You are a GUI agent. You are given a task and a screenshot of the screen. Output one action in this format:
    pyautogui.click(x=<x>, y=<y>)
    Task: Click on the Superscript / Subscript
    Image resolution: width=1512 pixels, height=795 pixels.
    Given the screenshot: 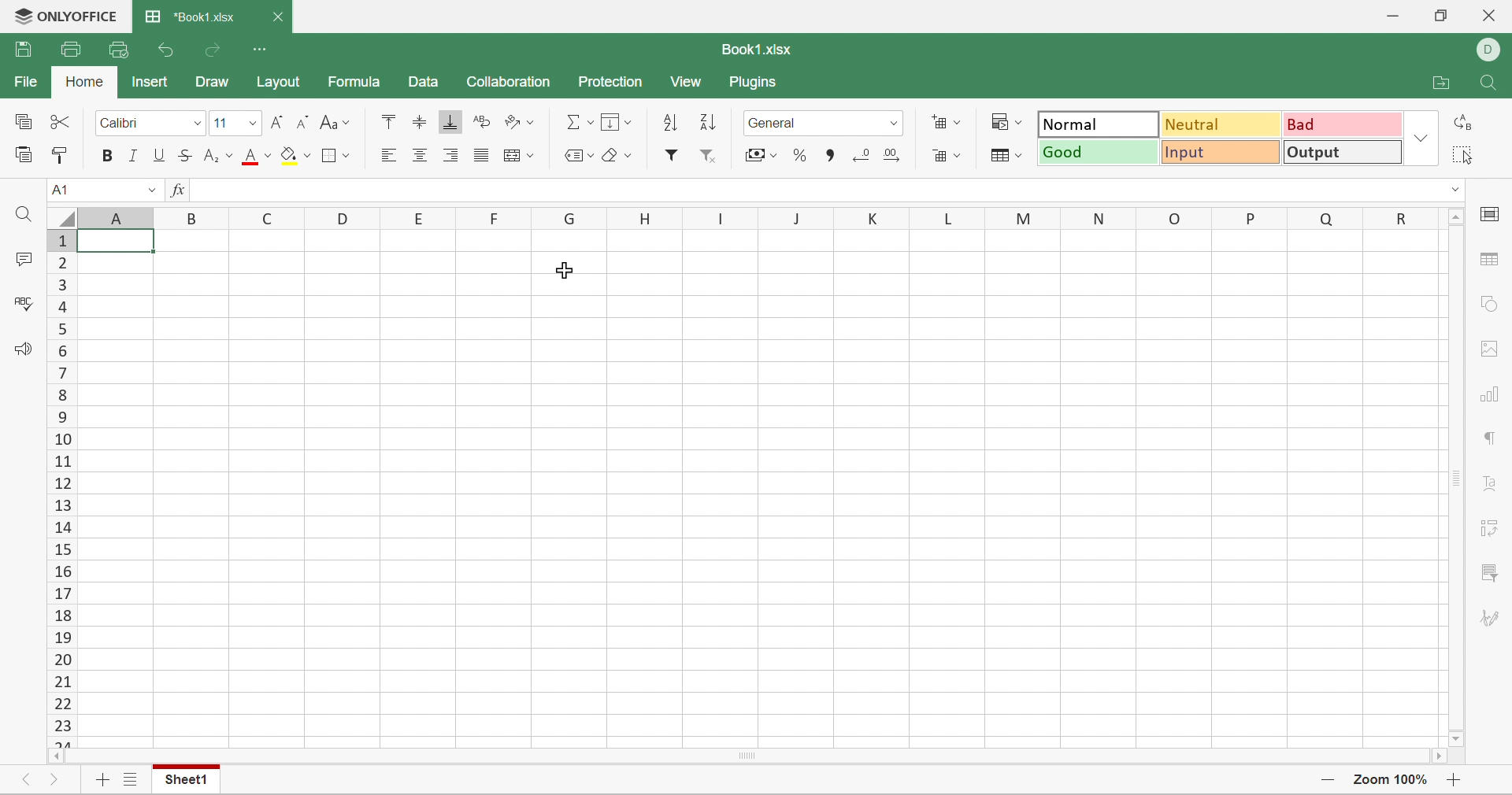 What is the action you would take?
    pyautogui.click(x=218, y=157)
    